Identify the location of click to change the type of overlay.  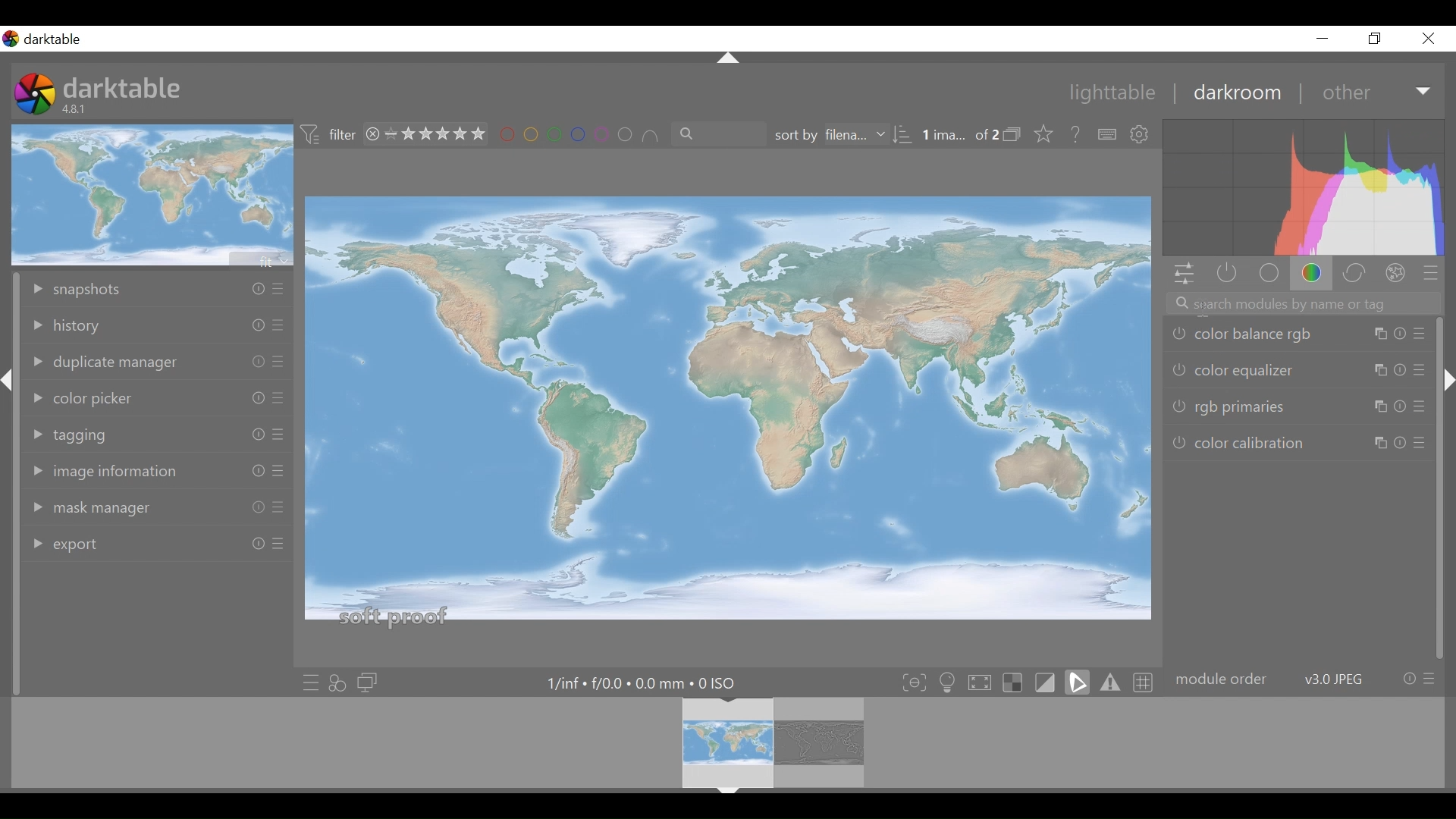
(1048, 135).